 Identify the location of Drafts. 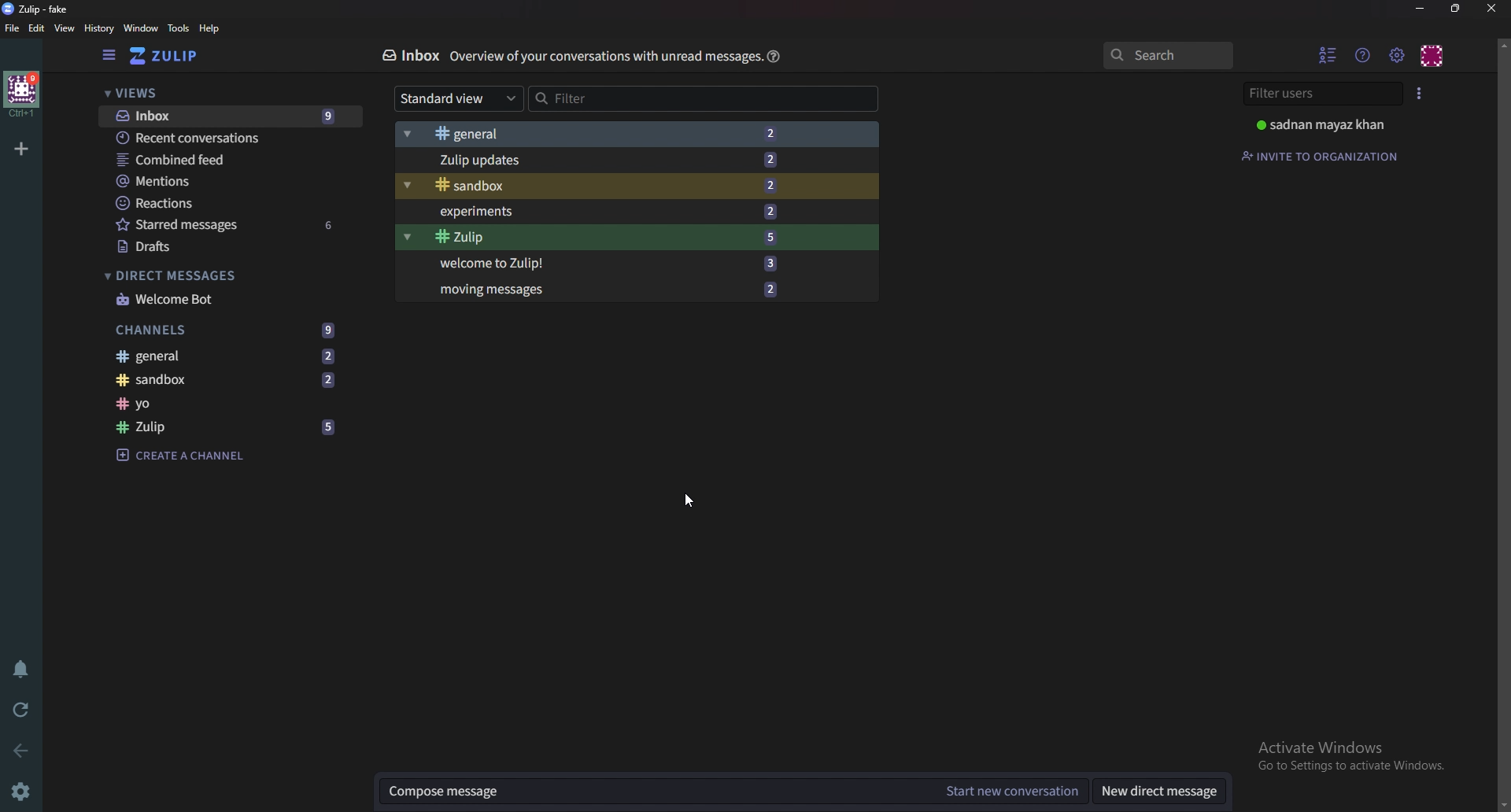
(208, 246).